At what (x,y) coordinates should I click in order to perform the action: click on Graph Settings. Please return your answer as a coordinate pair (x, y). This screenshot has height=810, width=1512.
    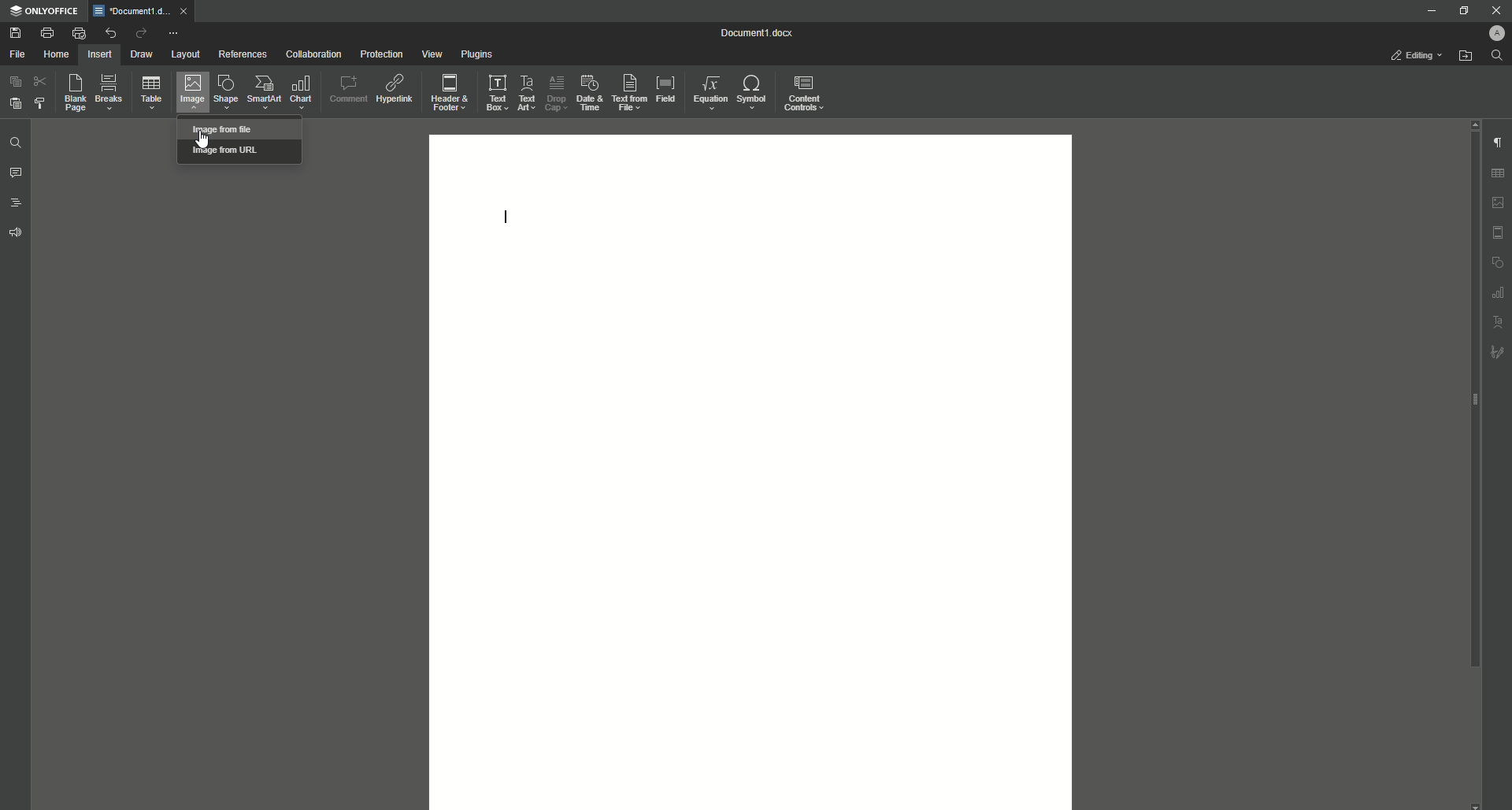
    Looking at the image, I should click on (1498, 292).